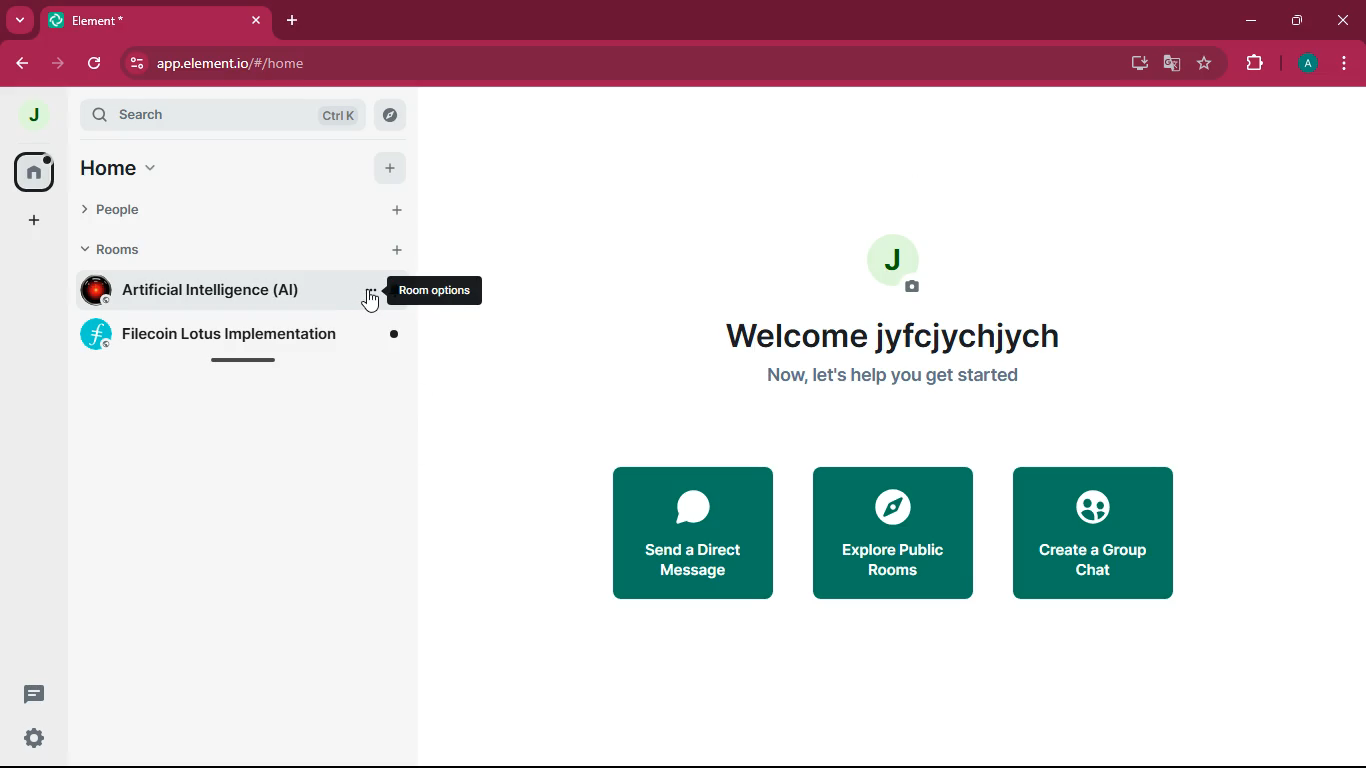 The width and height of the screenshot is (1366, 768). Describe the element at coordinates (296, 22) in the screenshot. I see `add tab` at that location.